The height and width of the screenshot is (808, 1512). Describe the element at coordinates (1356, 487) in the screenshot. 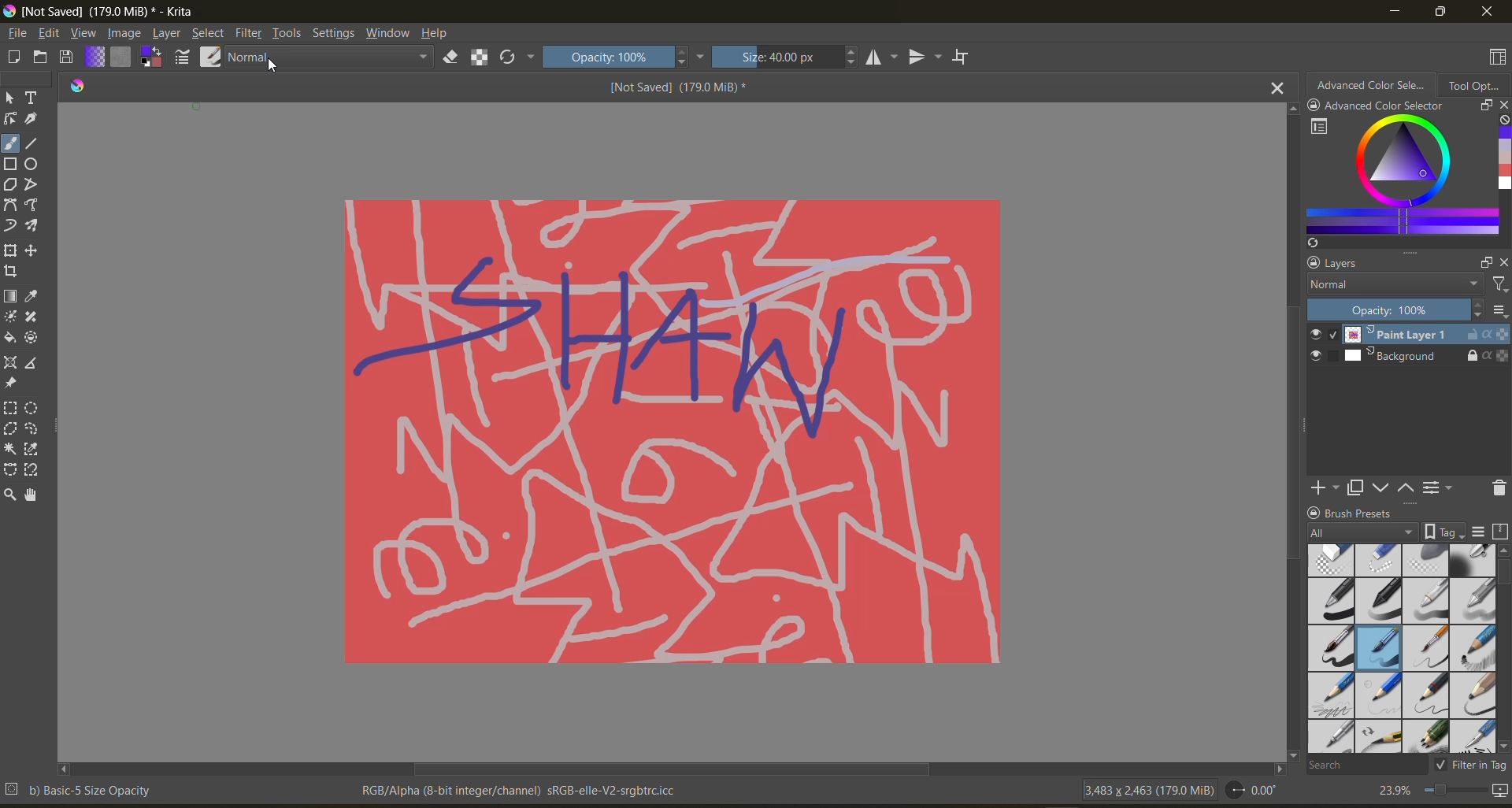

I see `duplicate` at that location.